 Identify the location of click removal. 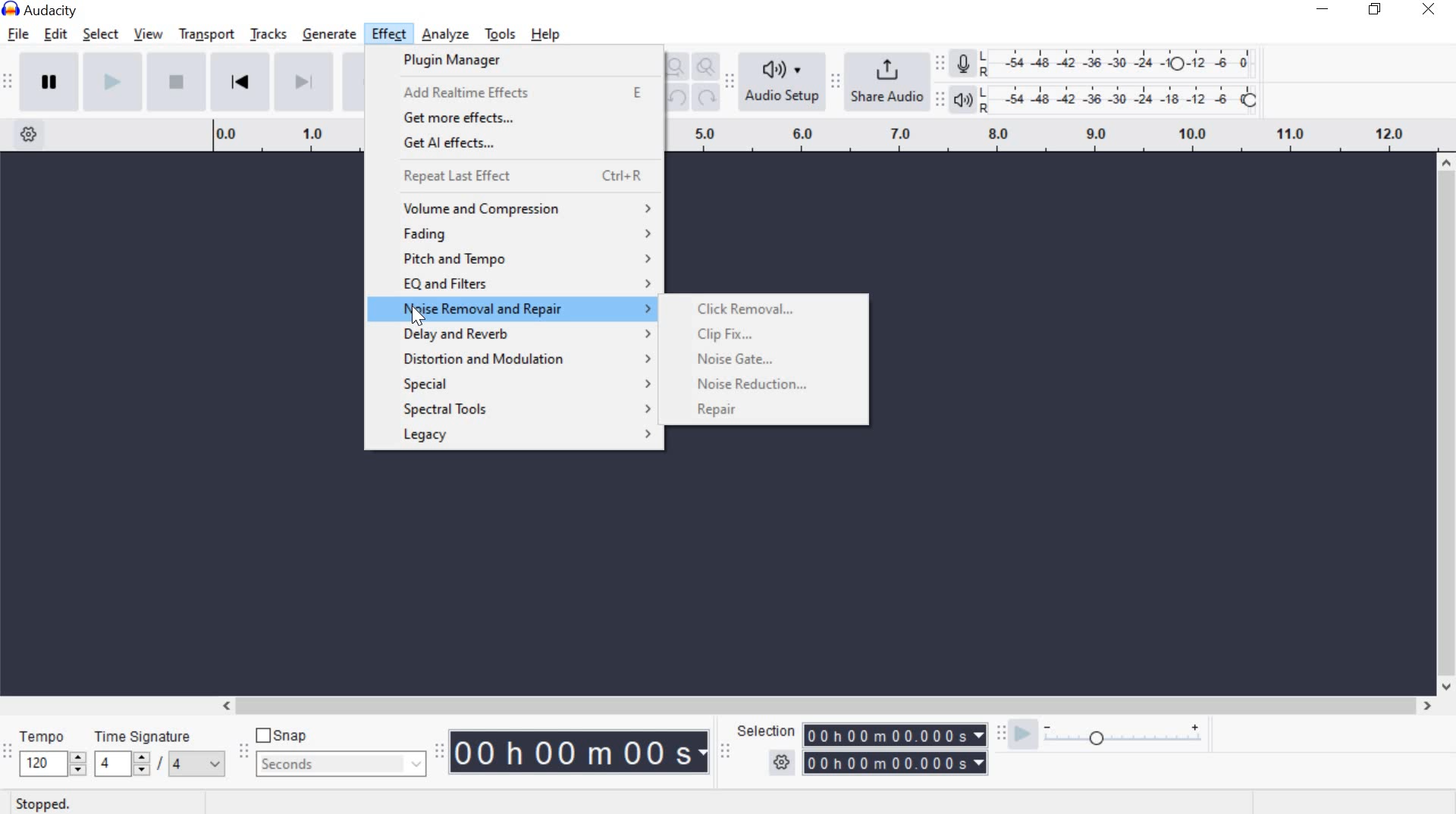
(758, 307).